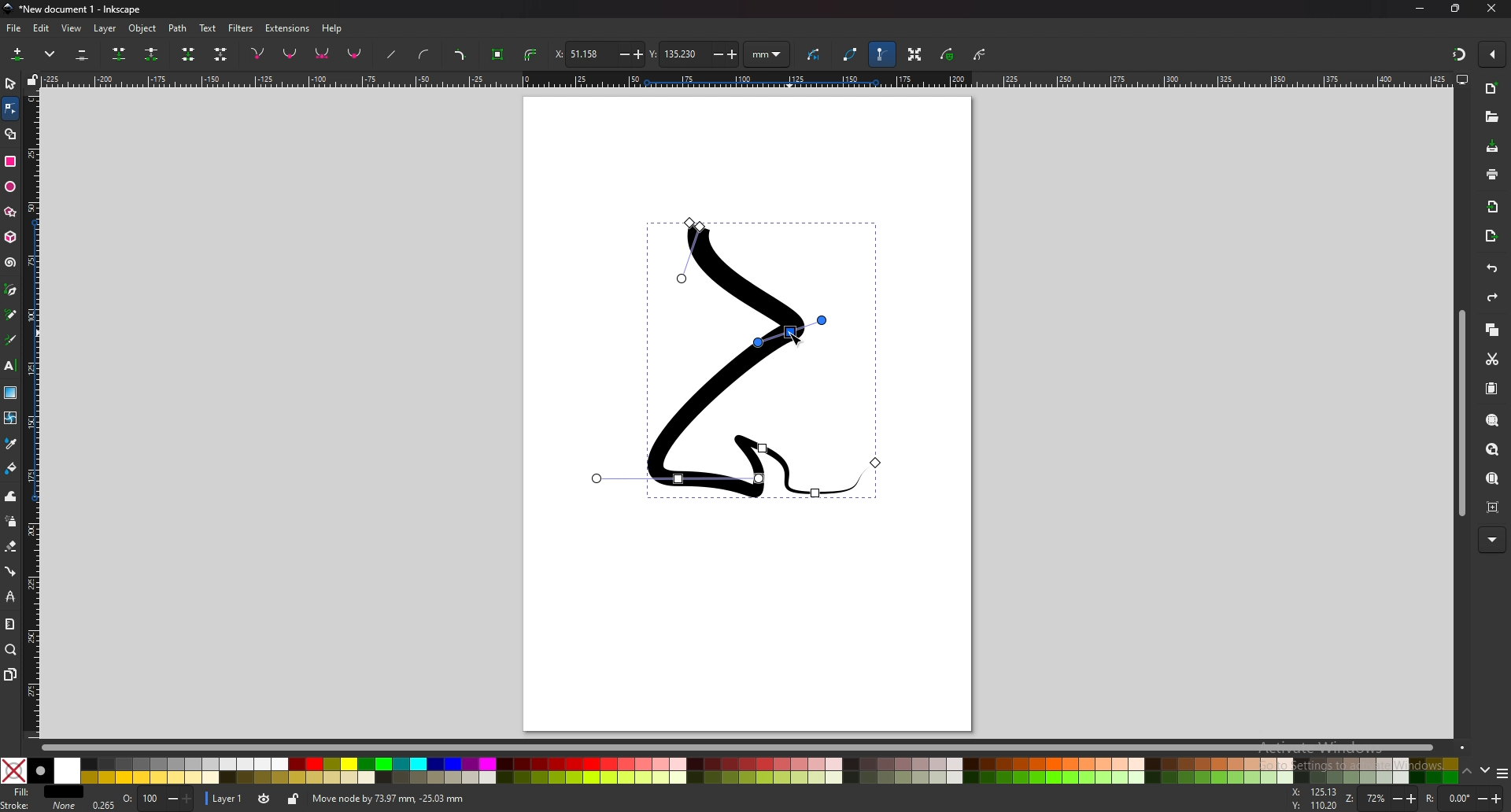 The image size is (1511, 812). Describe the element at coordinates (10, 237) in the screenshot. I see `3d box` at that location.